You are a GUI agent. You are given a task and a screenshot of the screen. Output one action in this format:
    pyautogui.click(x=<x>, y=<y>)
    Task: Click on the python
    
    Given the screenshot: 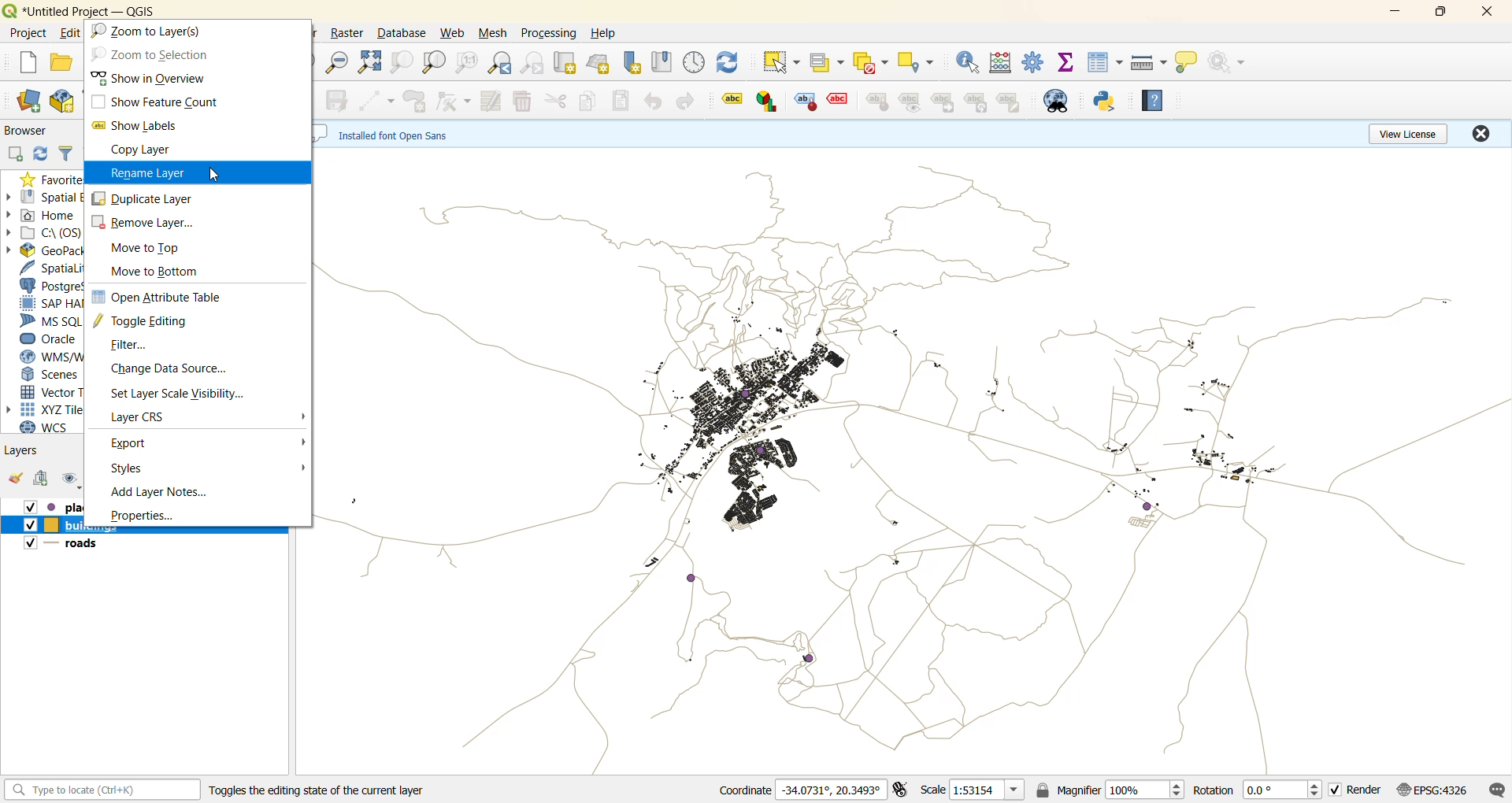 What is the action you would take?
    pyautogui.click(x=1105, y=102)
    